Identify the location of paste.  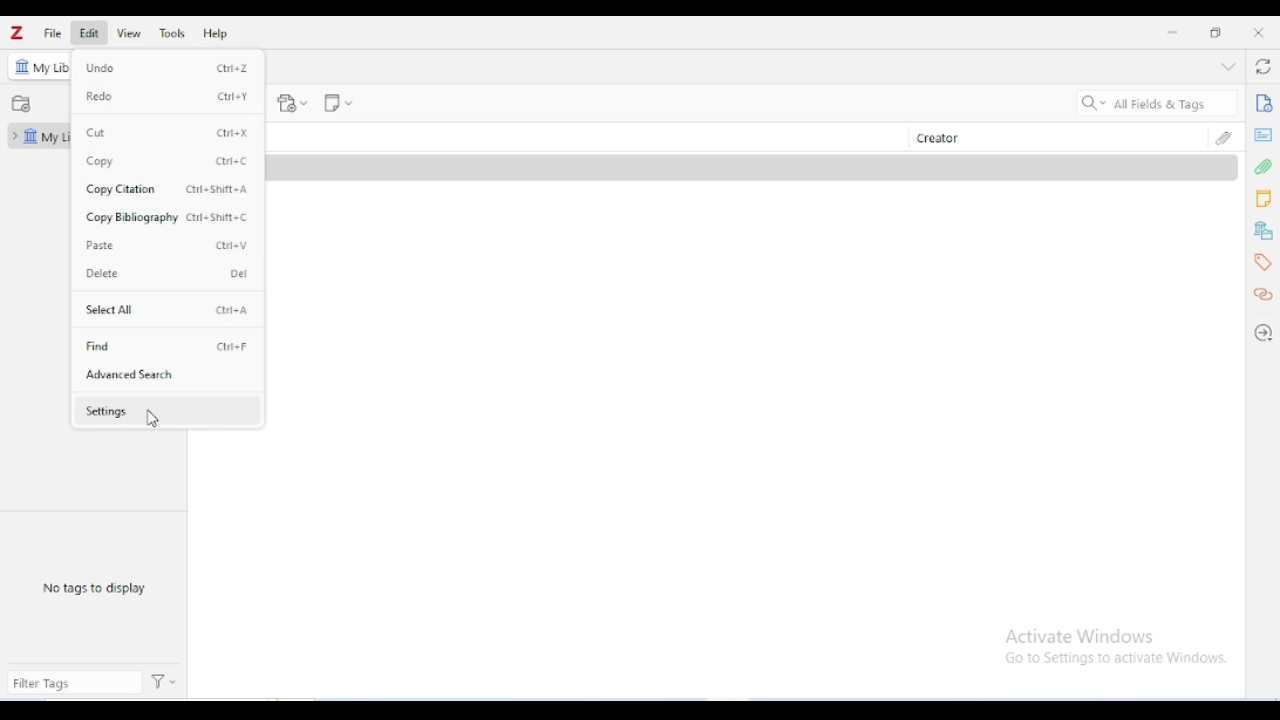
(100, 245).